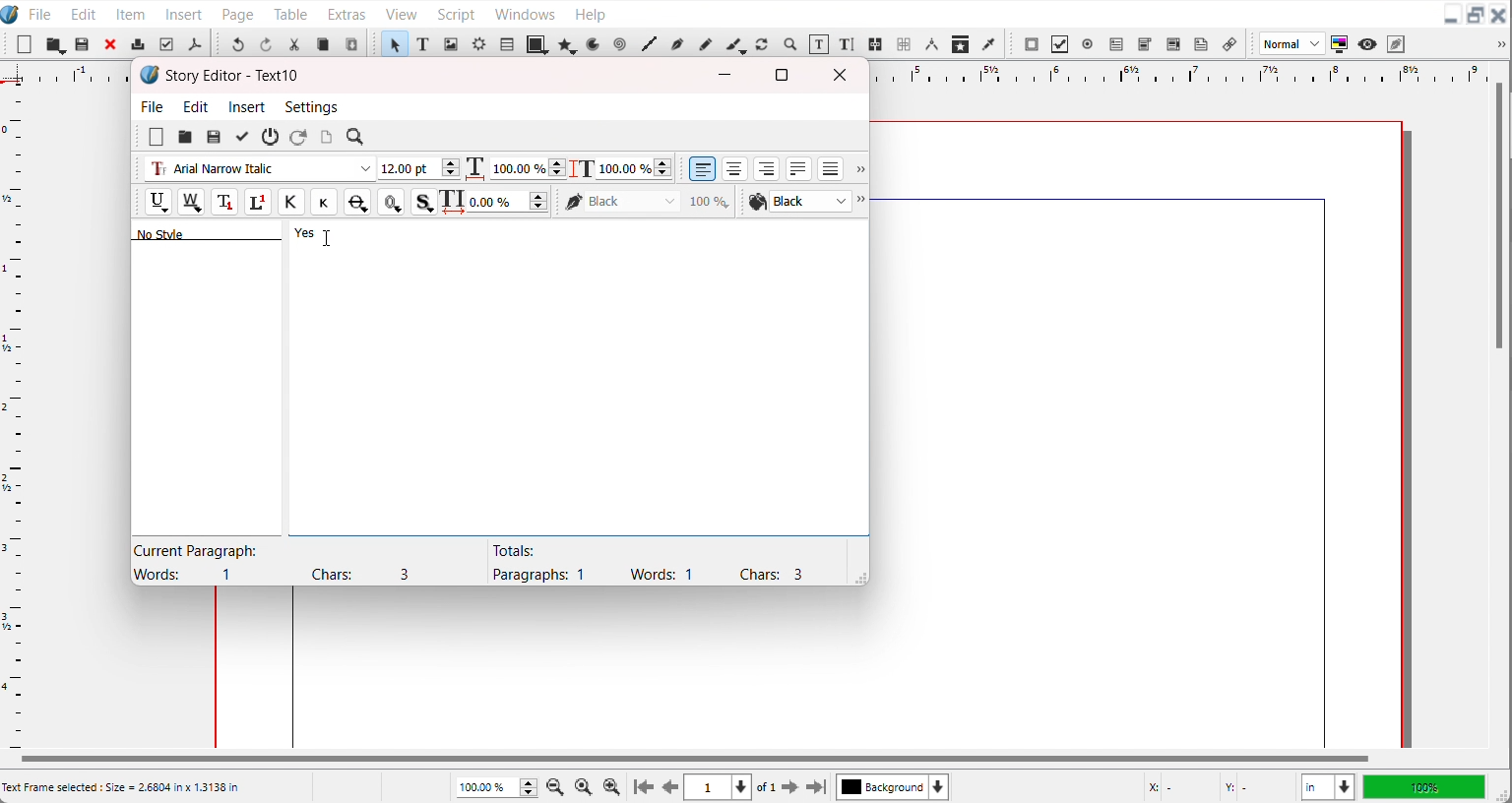 Image resolution: width=1512 pixels, height=803 pixels. Describe the element at coordinates (816, 787) in the screenshot. I see `Go to the last page` at that location.